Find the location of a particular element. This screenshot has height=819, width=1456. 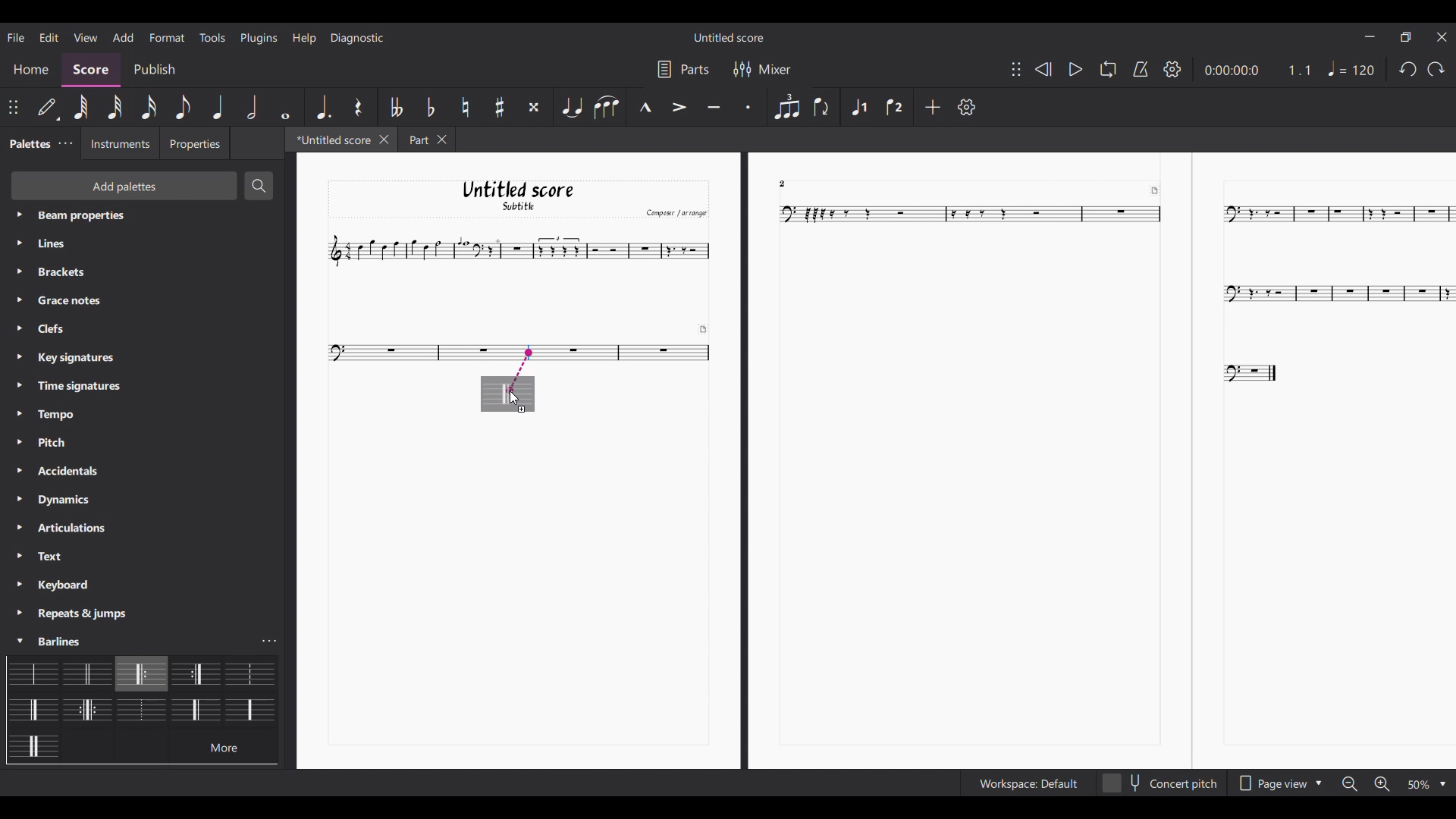

Show in smaller tab is located at coordinates (1407, 37).